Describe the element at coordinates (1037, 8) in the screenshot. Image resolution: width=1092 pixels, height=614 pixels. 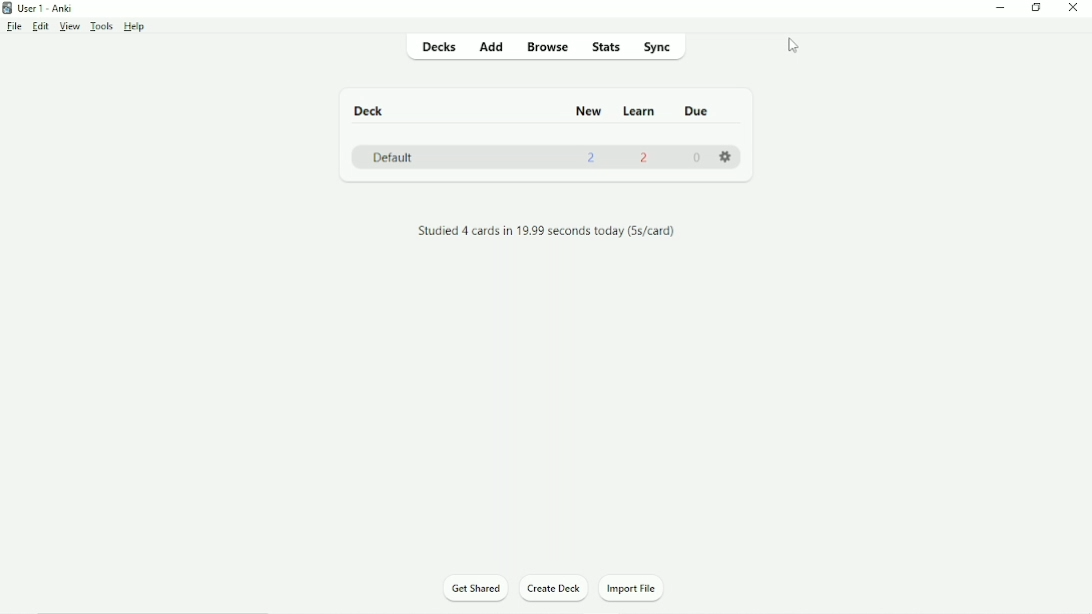
I see `Restore down` at that location.